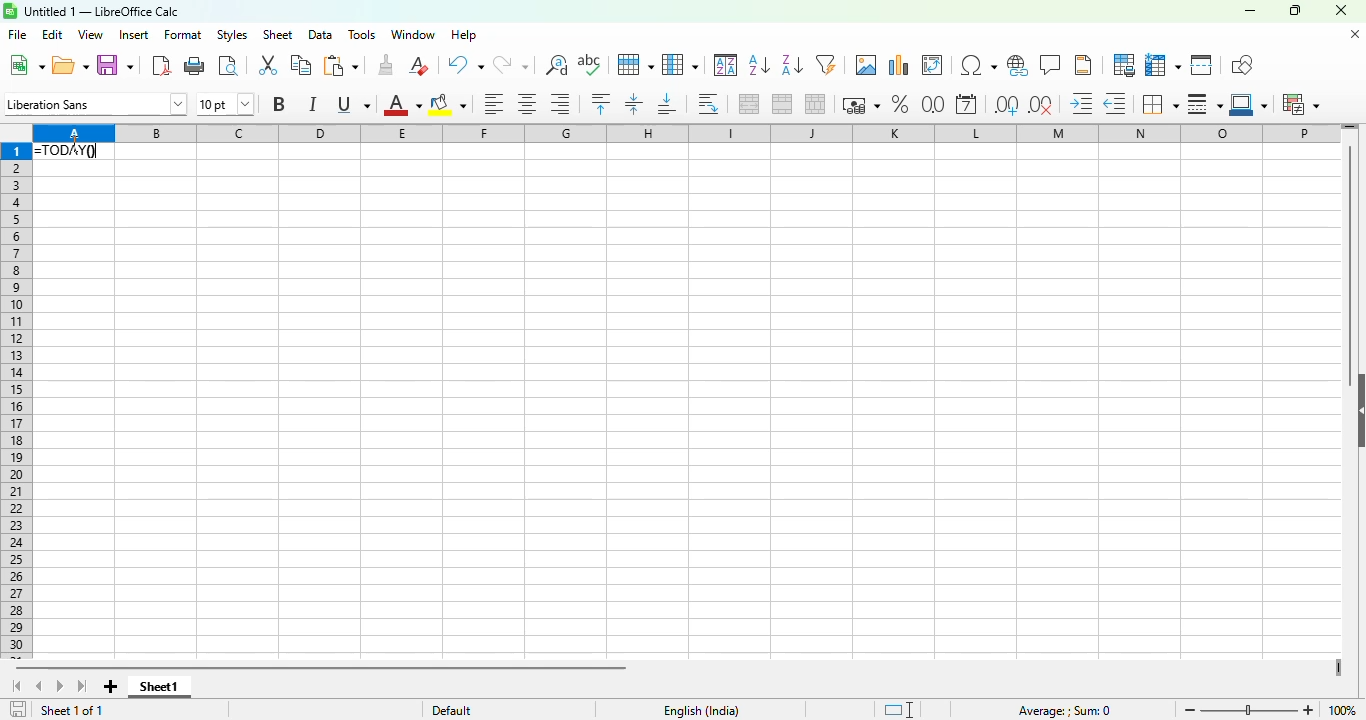  What do you see at coordinates (726, 65) in the screenshot?
I see `sort` at bounding box center [726, 65].